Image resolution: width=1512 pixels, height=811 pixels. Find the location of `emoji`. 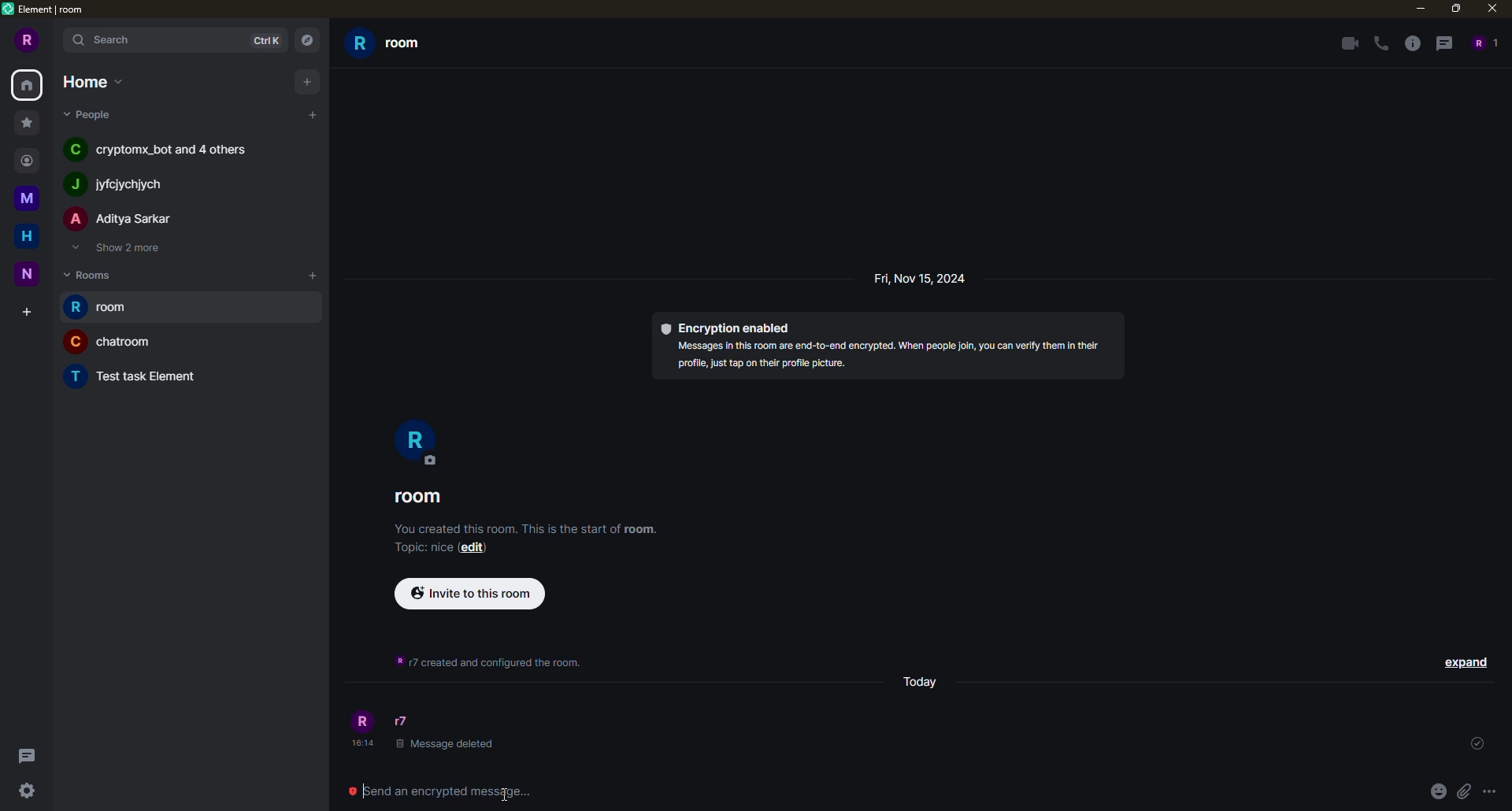

emoji is located at coordinates (1436, 791).